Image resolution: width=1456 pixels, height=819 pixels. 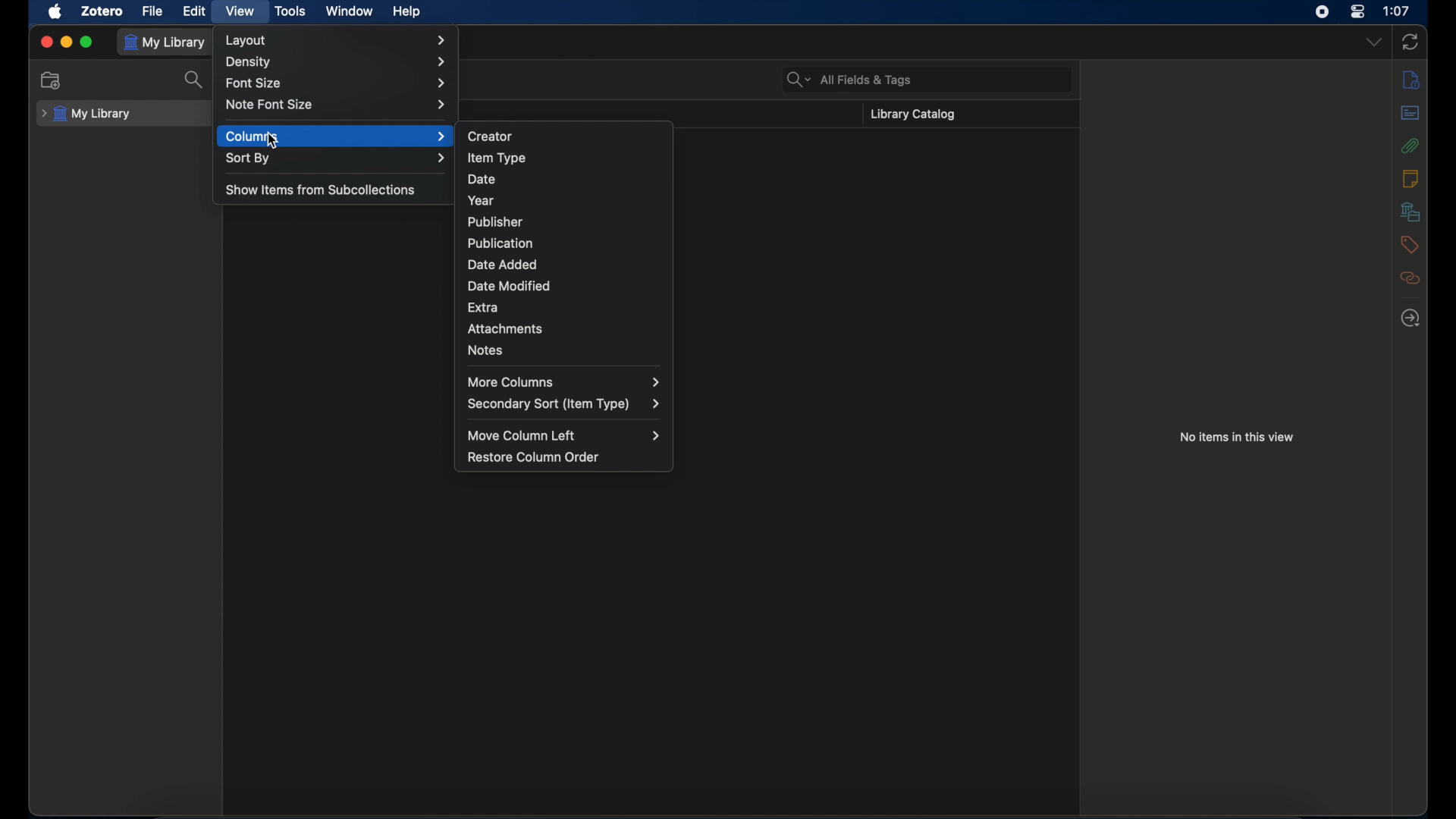 I want to click on date added, so click(x=502, y=264).